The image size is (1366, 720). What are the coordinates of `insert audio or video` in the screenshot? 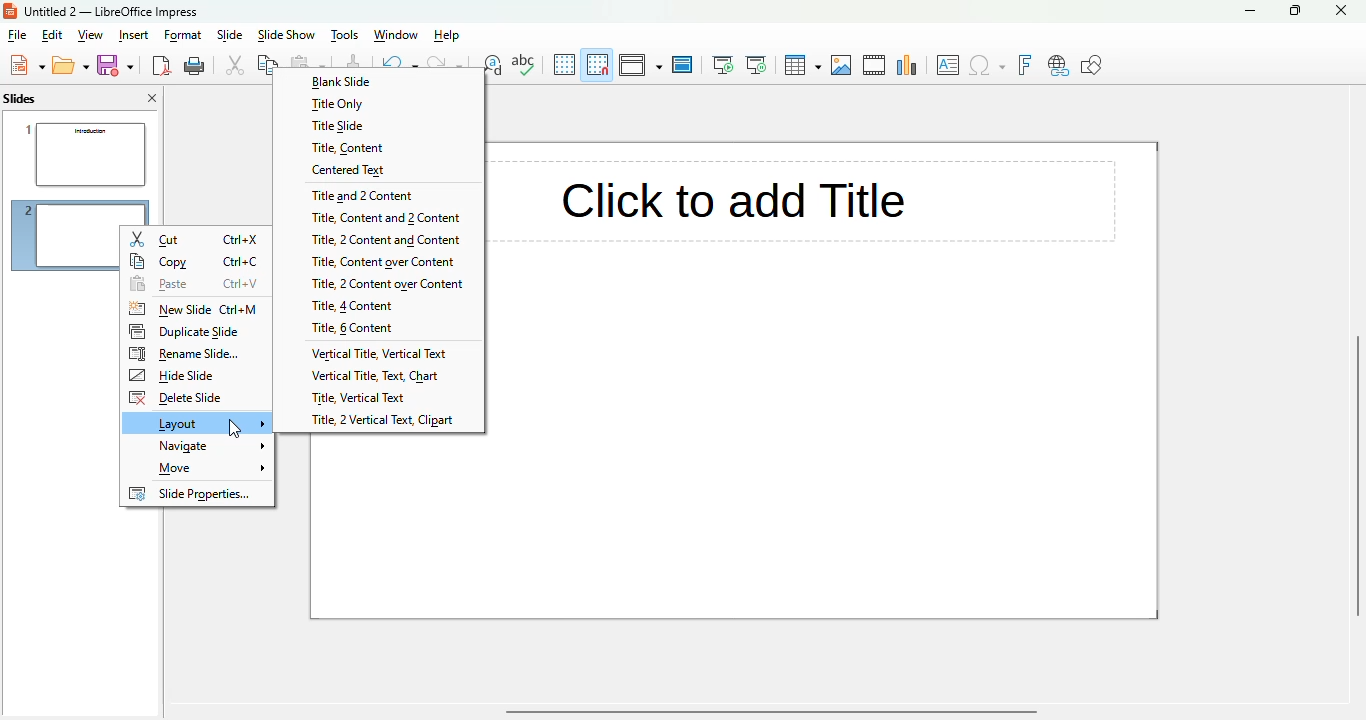 It's located at (875, 65).